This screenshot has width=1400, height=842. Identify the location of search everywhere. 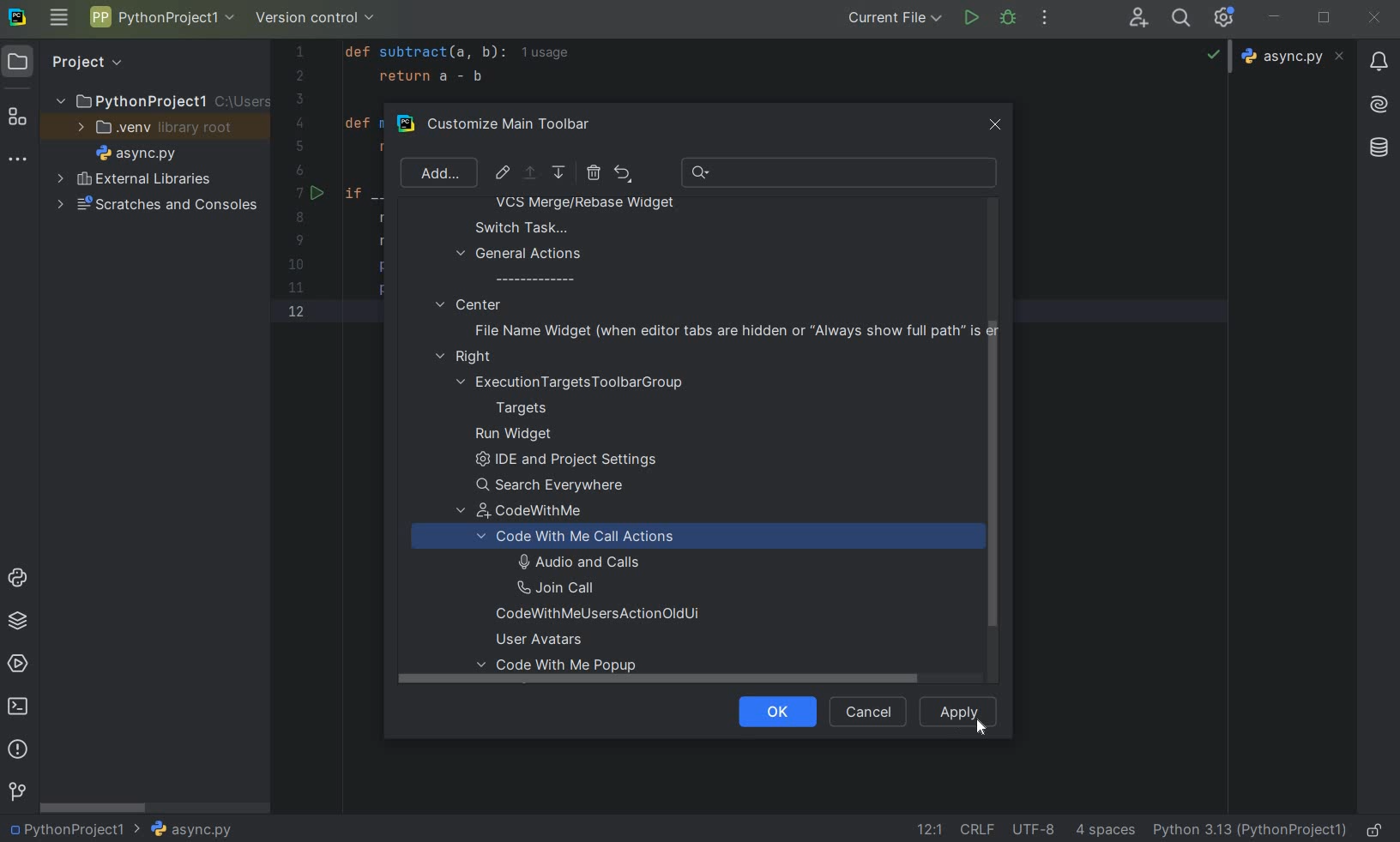
(557, 485).